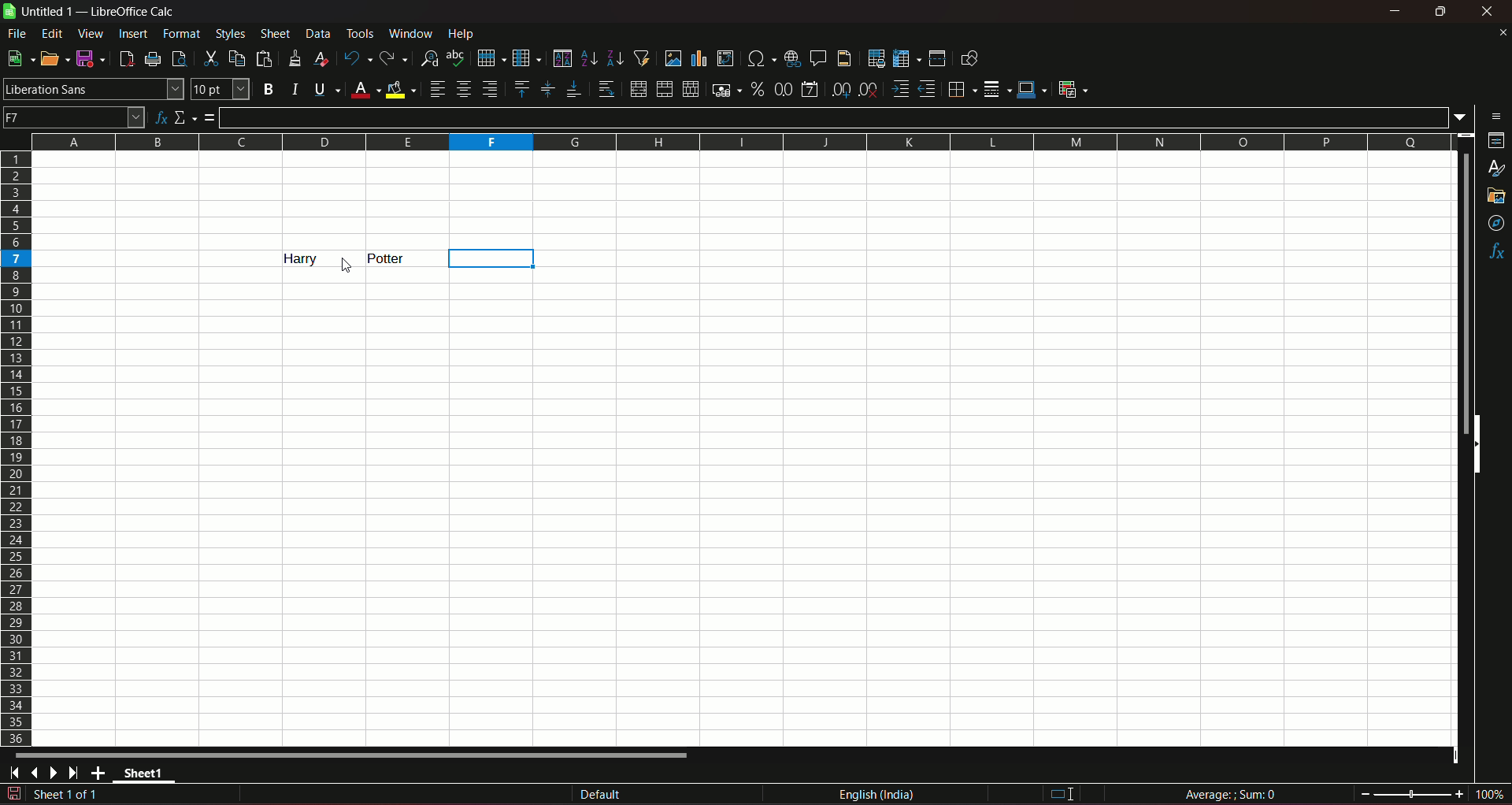 This screenshot has width=1512, height=805. I want to click on sort ascending, so click(590, 57).